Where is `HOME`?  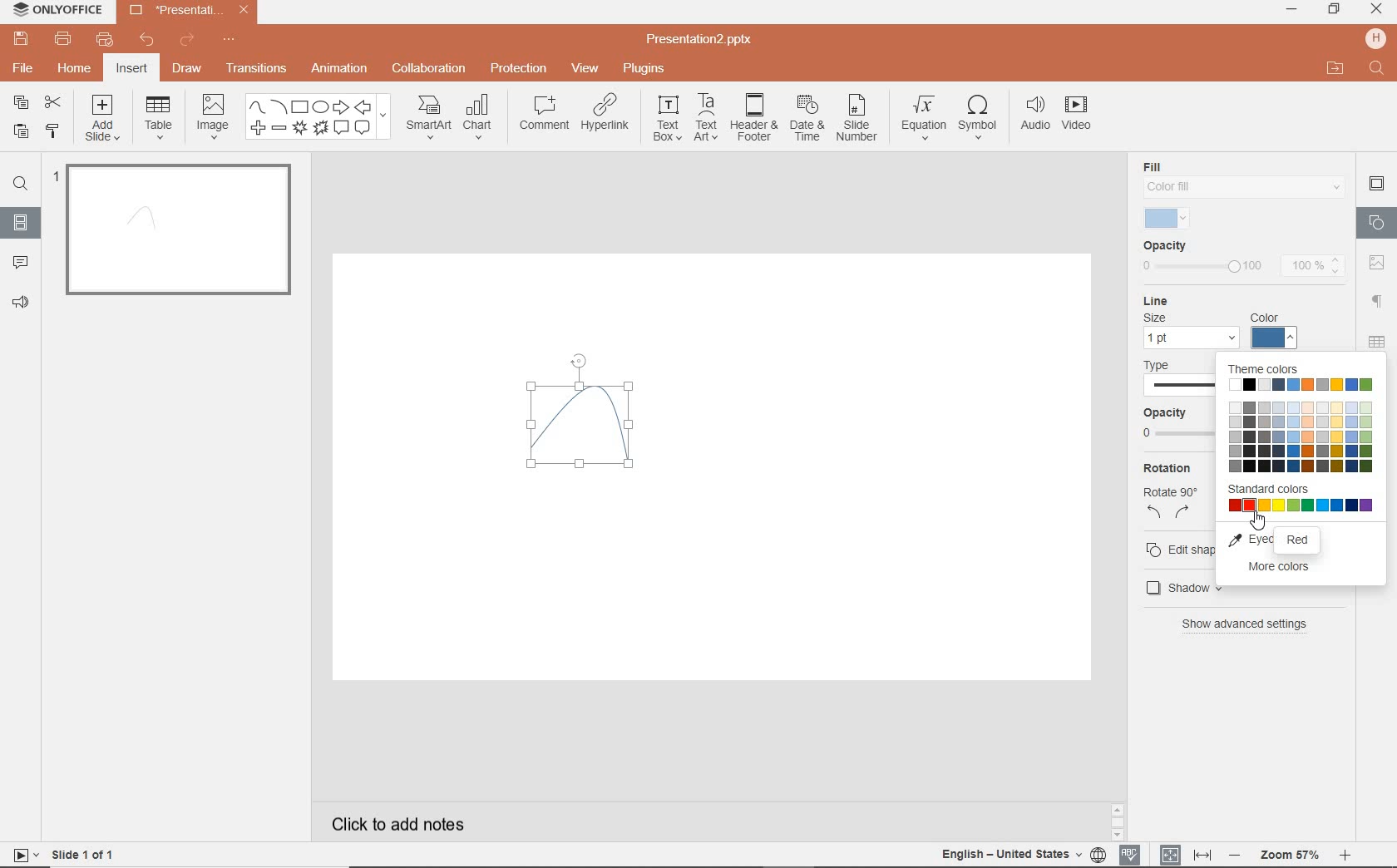 HOME is located at coordinates (73, 70).